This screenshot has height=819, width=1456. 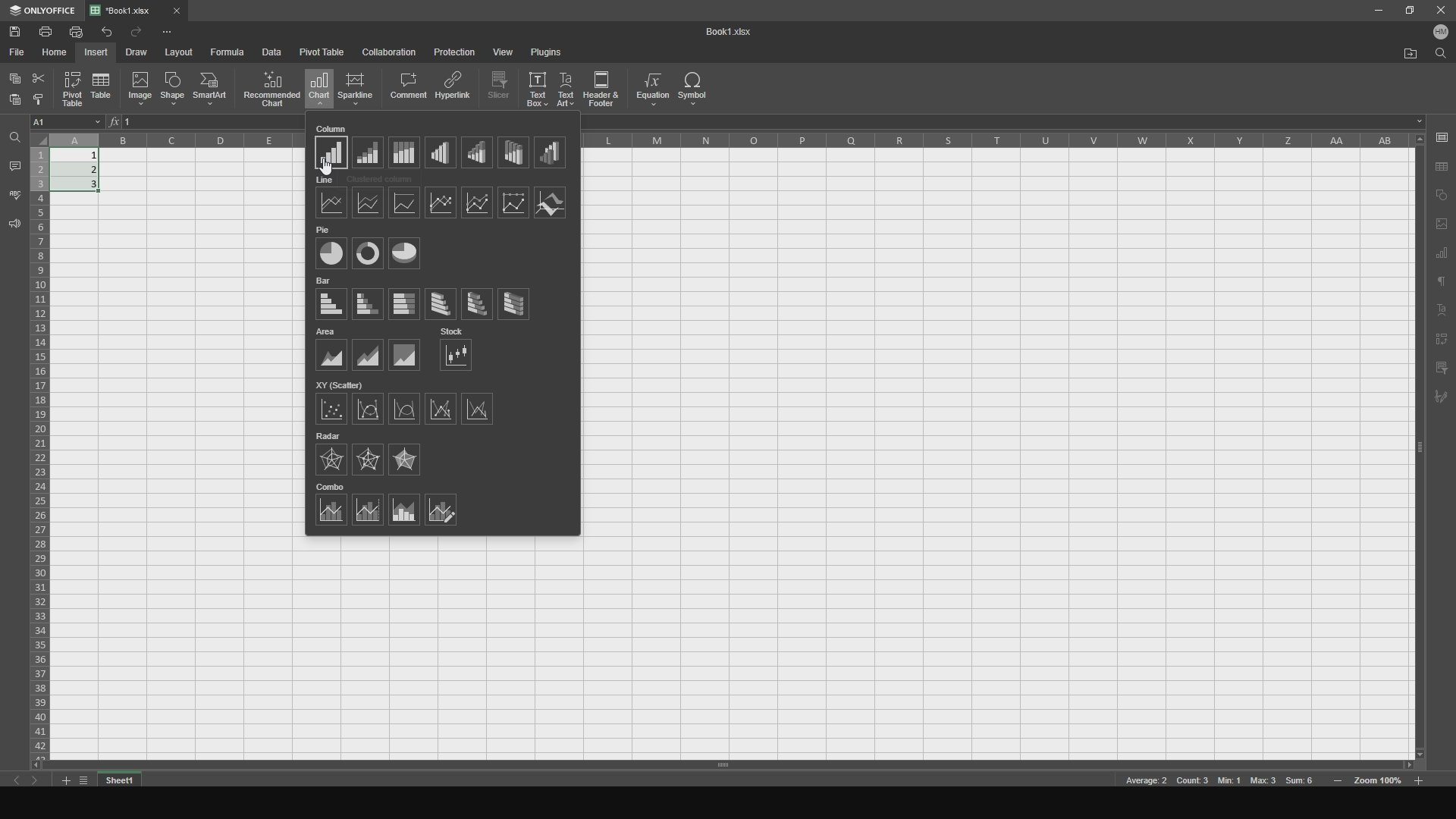 I want to click on feedback and support, so click(x=13, y=226).